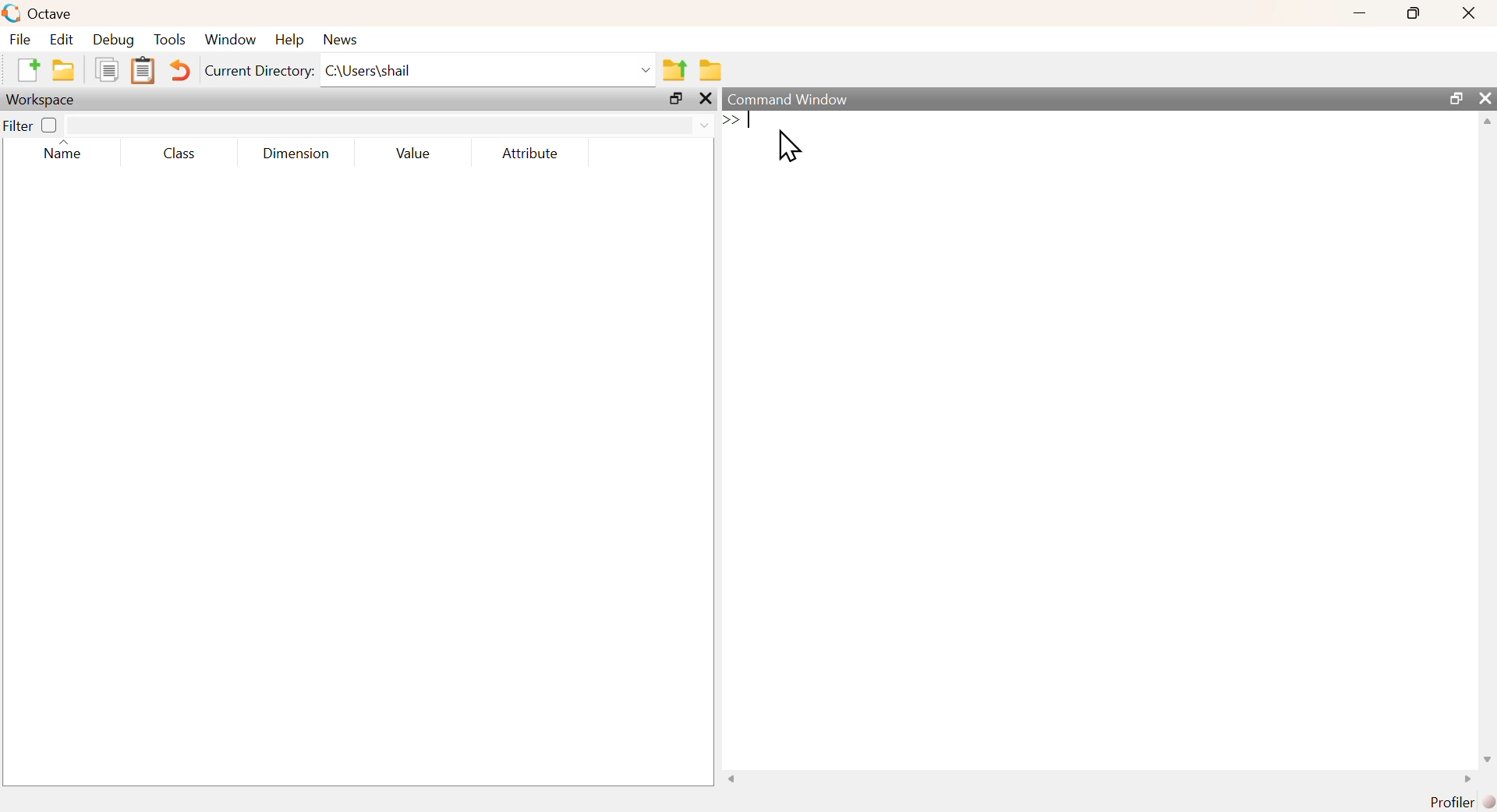 The image size is (1497, 812). What do you see at coordinates (65, 69) in the screenshot?
I see `open an existing file in editor` at bounding box center [65, 69].